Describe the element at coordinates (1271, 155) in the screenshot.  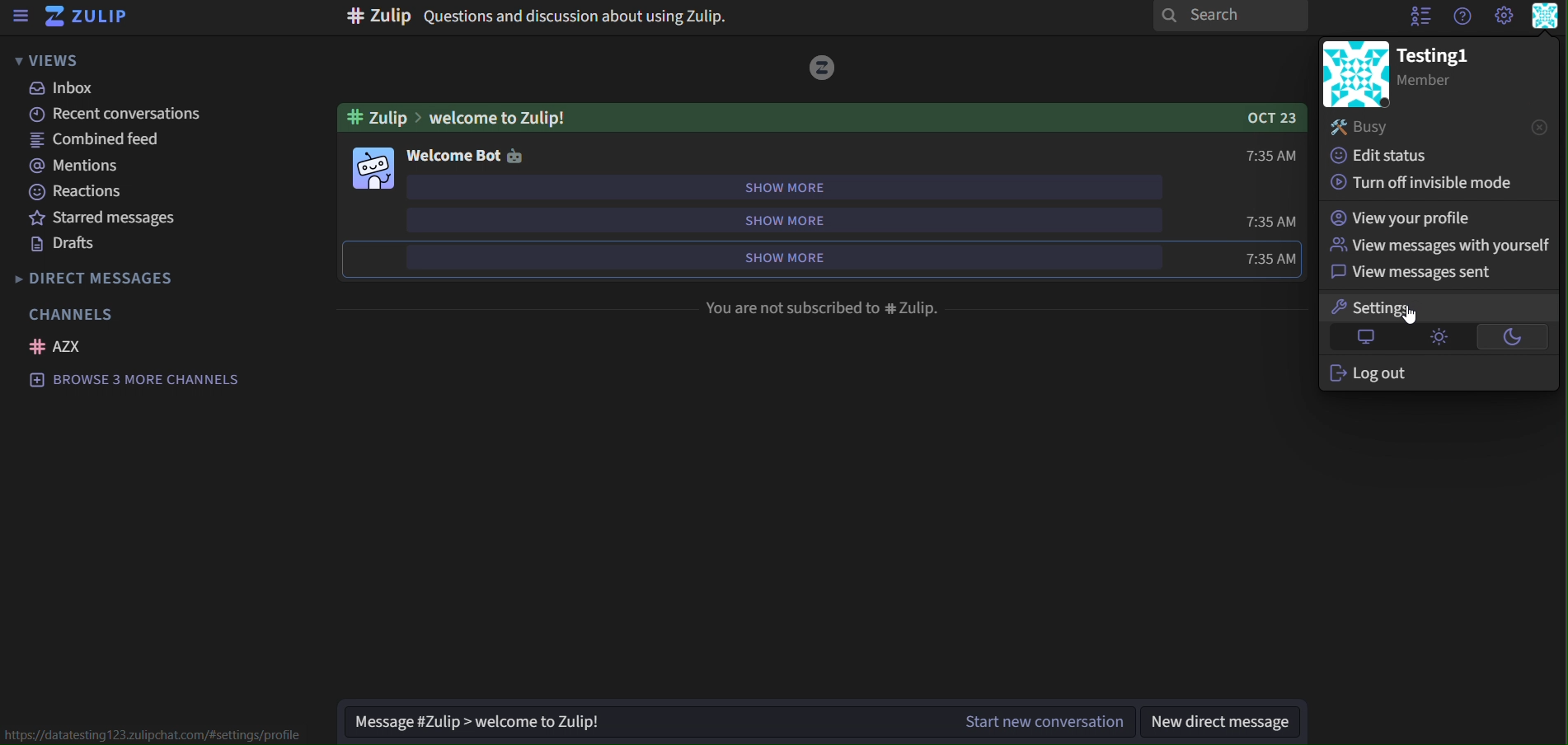
I see `7:35AM` at that location.